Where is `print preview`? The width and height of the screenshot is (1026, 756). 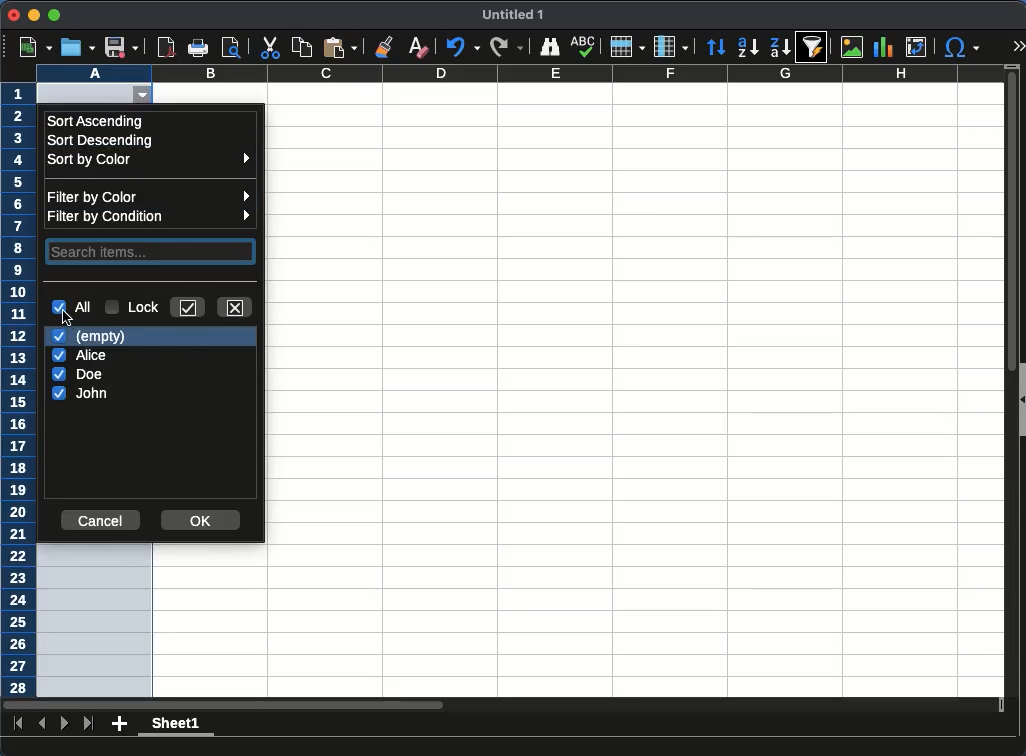
print preview is located at coordinates (231, 47).